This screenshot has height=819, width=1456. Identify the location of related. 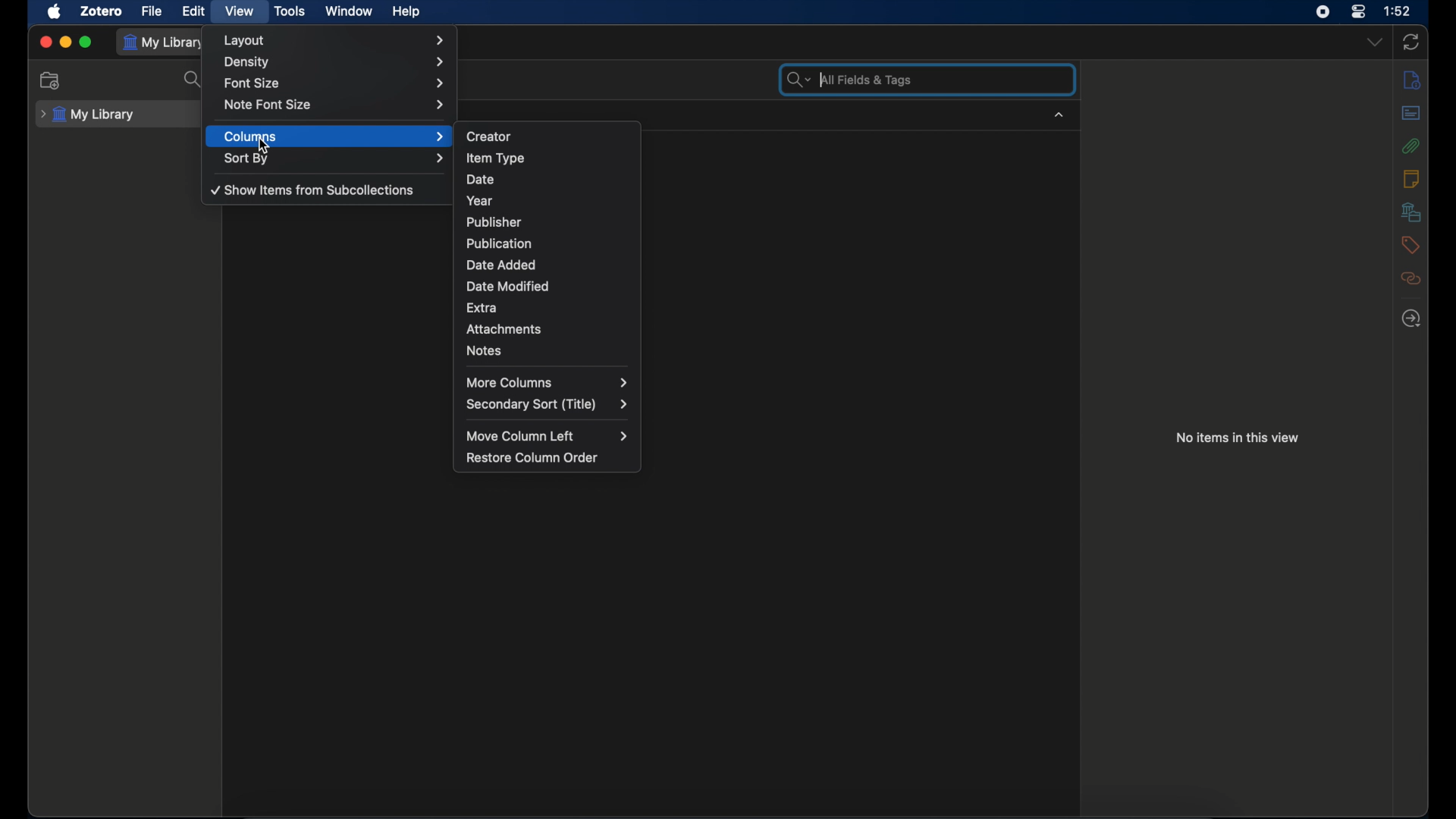
(1411, 278).